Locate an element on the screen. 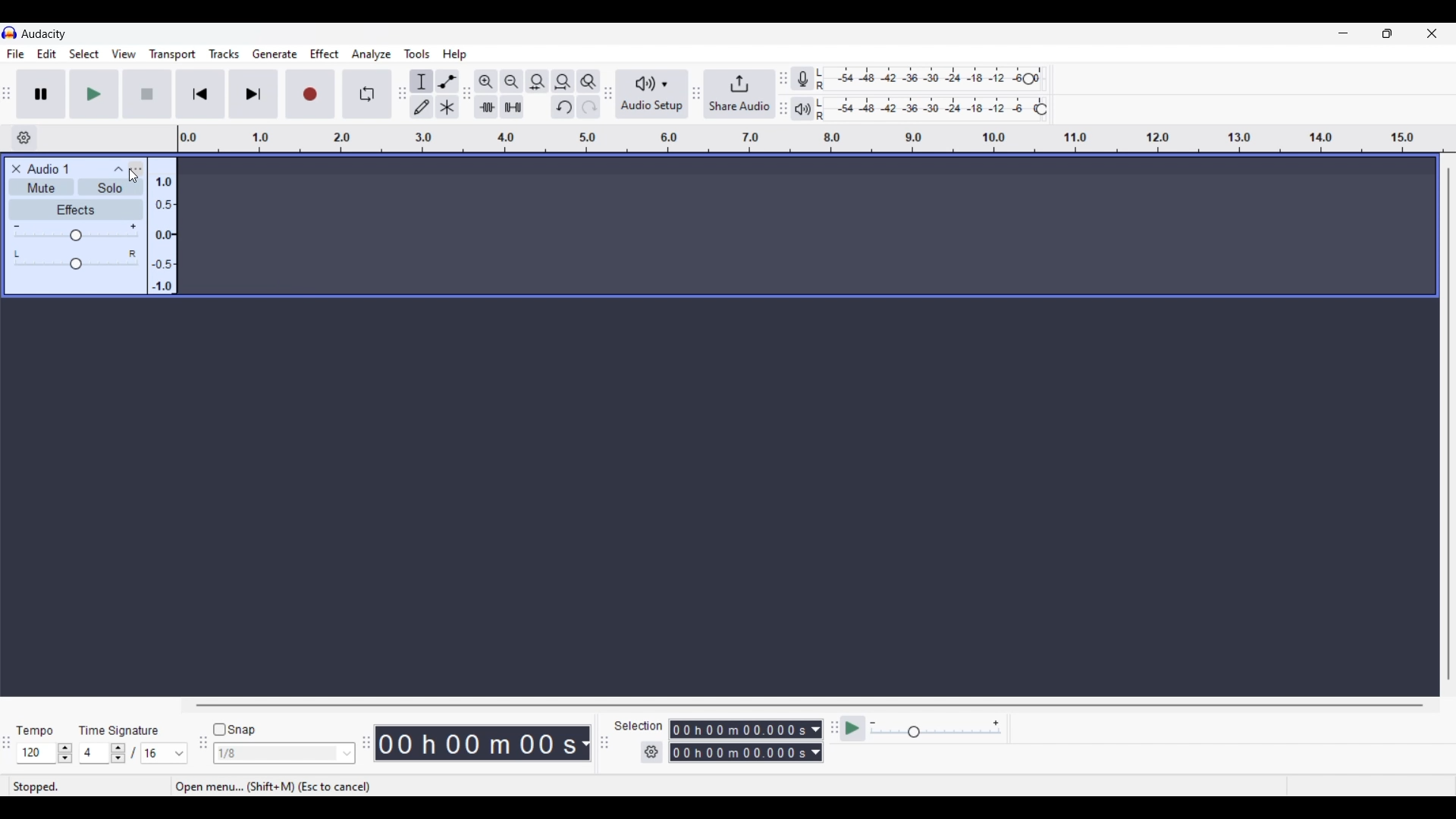 This screenshot has width=1456, height=819. Zoom in is located at coordinates (485, 81).